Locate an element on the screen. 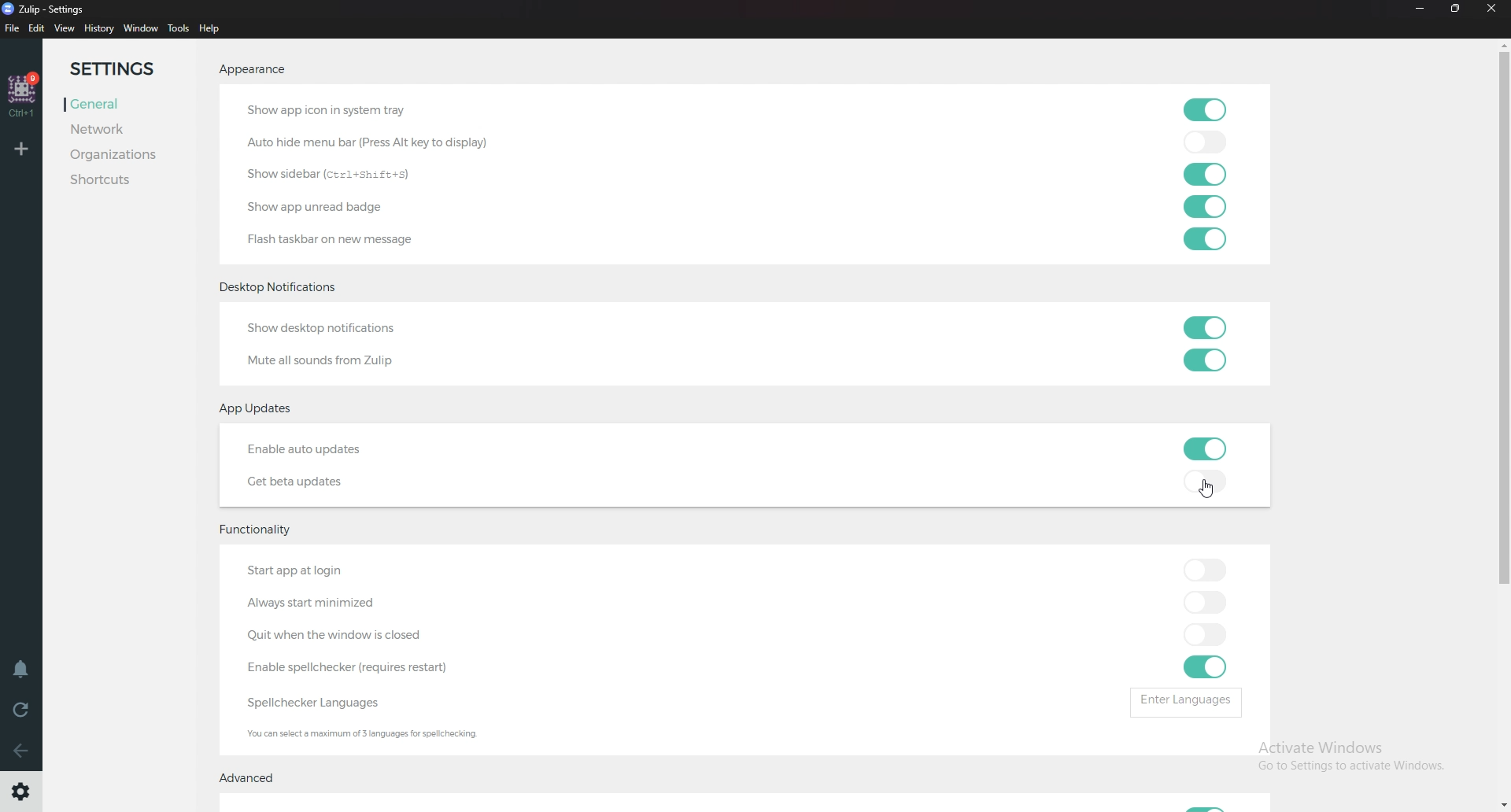 Image resolution: width=1511 pixels, height=812 pixels. Shortcuts is located at coordinates (131, 179).